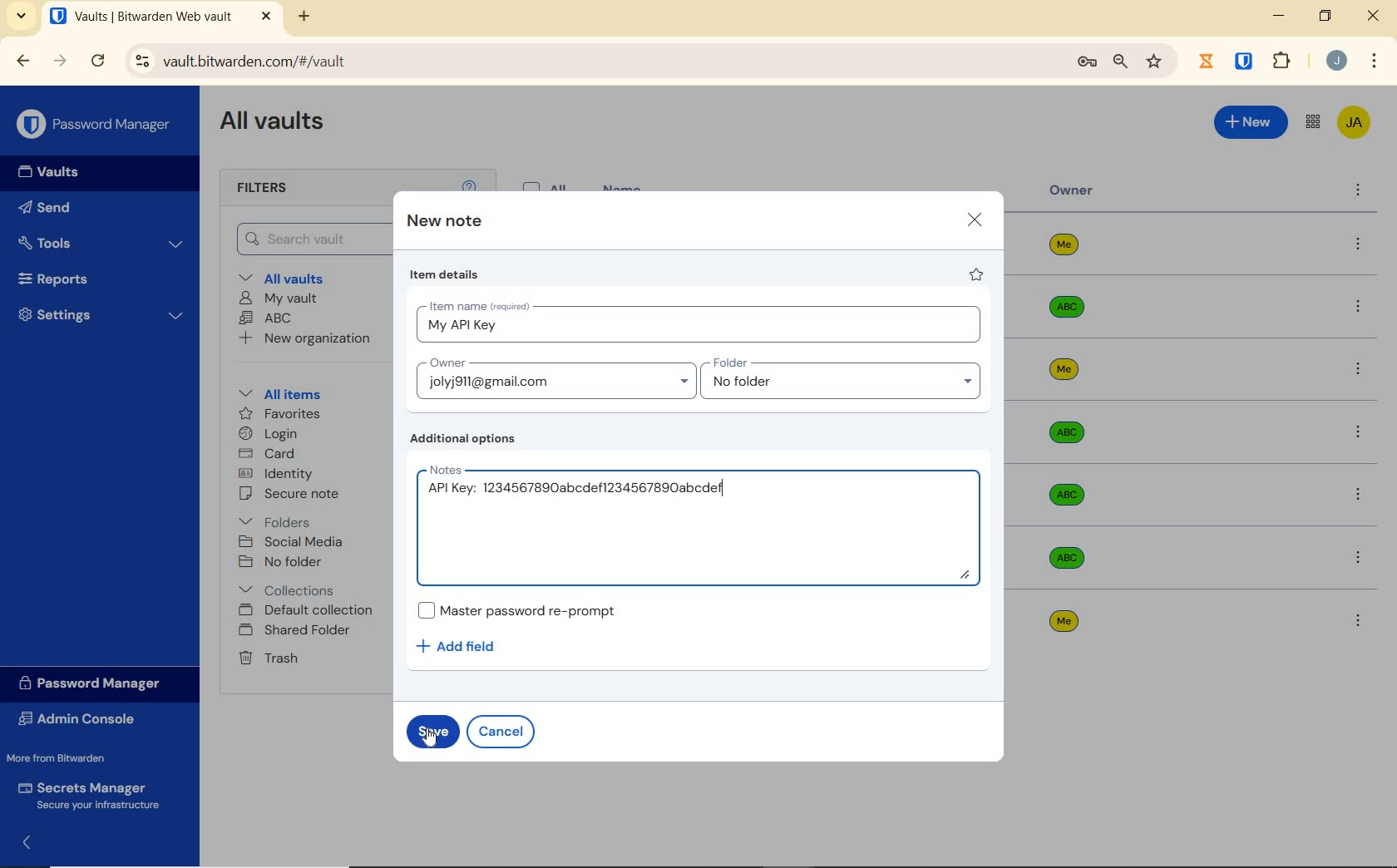 This screenshot has width=1397, height=868. What do you see at coordinates (294, 542) in the screenshot?
I see `SOCIAL MEDIA` at bounding box center [294, 542].